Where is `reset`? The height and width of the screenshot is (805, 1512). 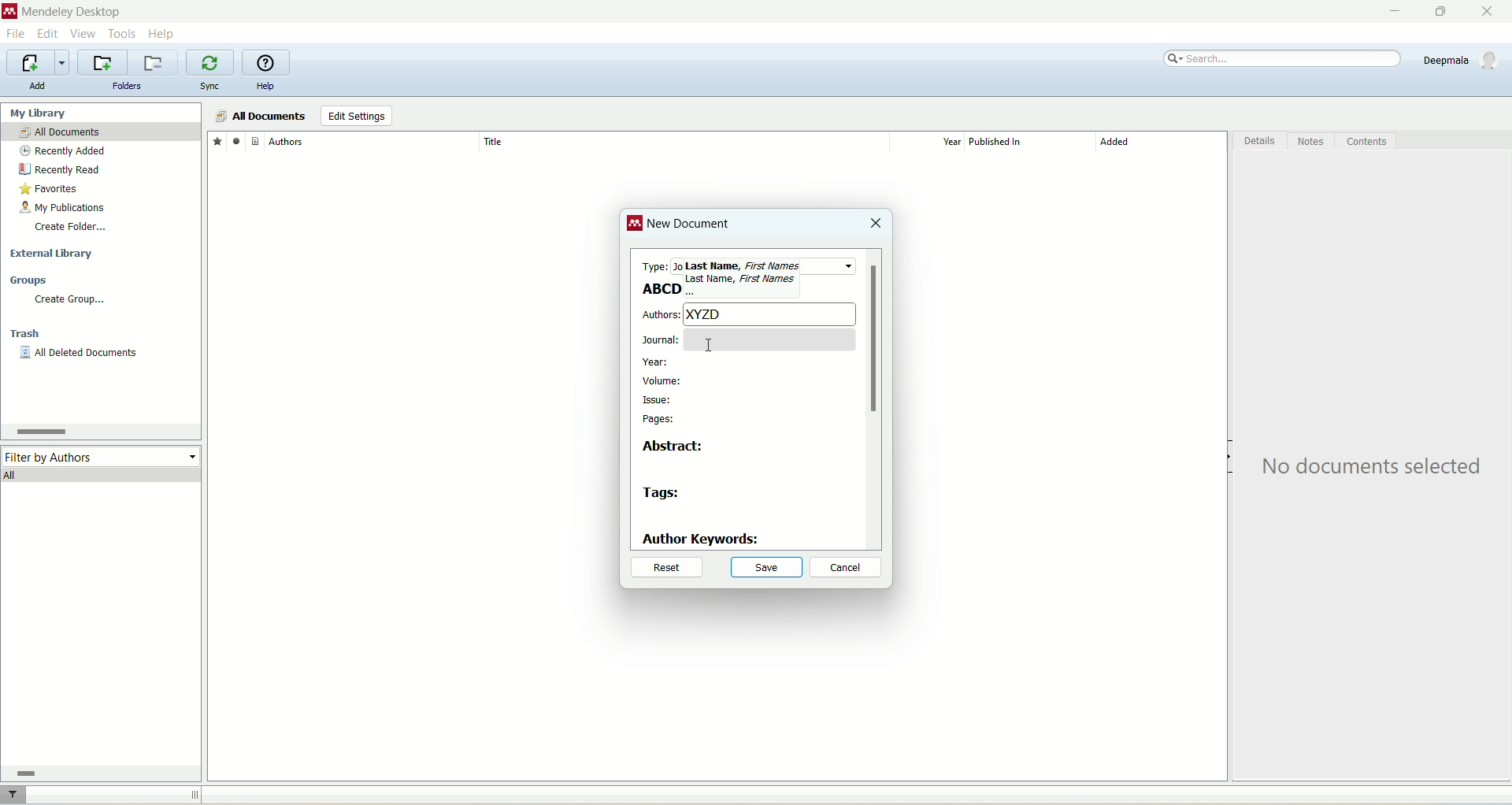
reset is located at coordinates (665, 569).